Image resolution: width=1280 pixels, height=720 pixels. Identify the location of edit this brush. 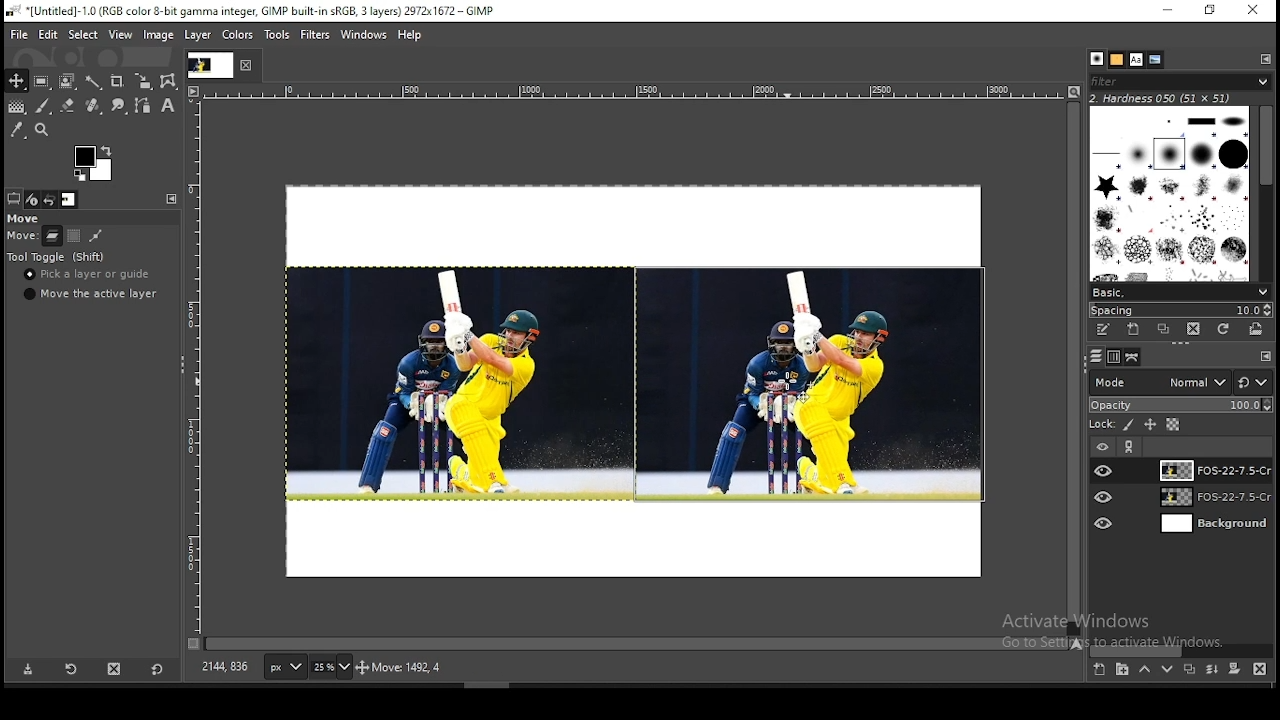
(1103, 329).